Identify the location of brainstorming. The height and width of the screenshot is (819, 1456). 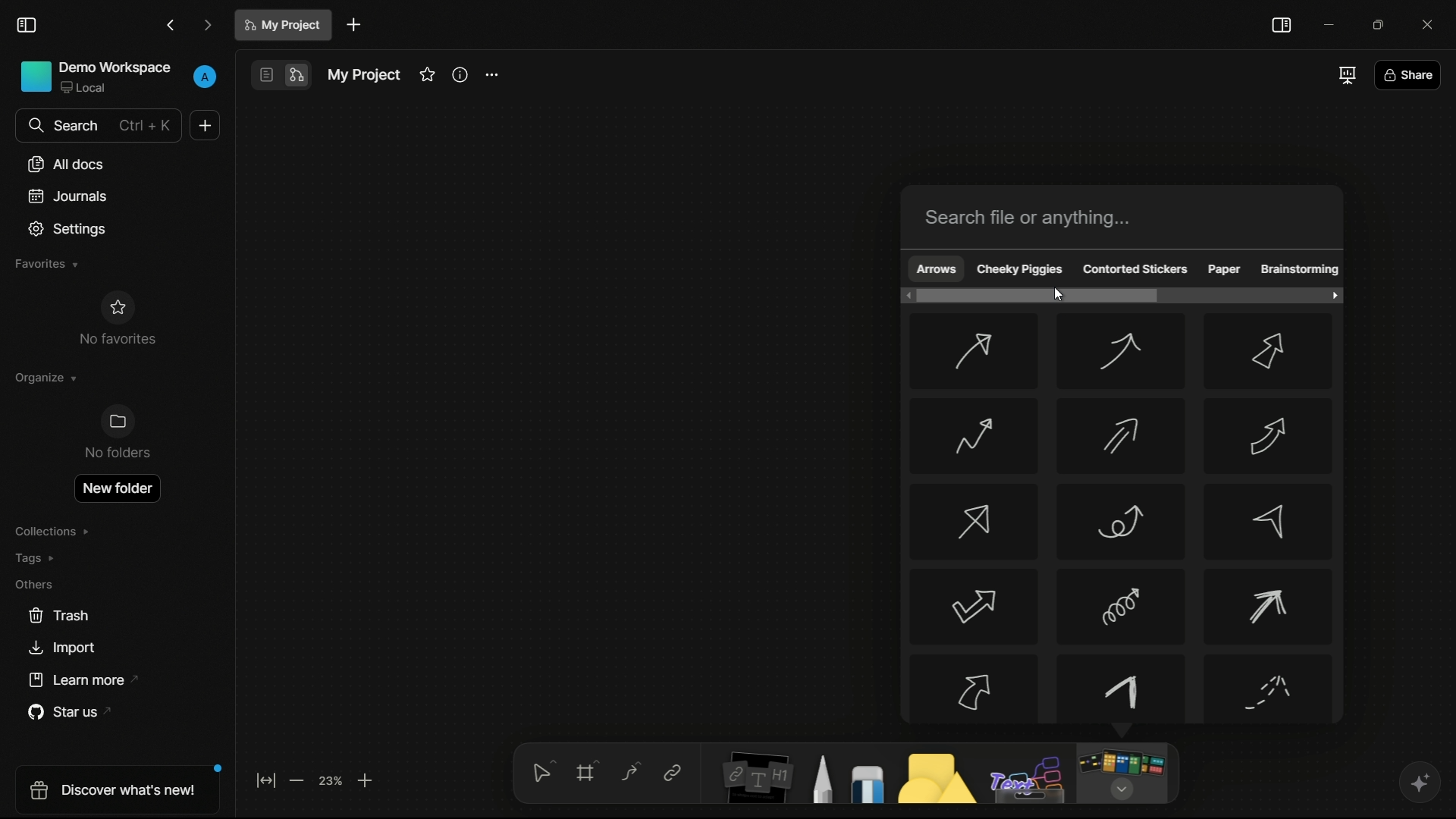
(1300, 271).